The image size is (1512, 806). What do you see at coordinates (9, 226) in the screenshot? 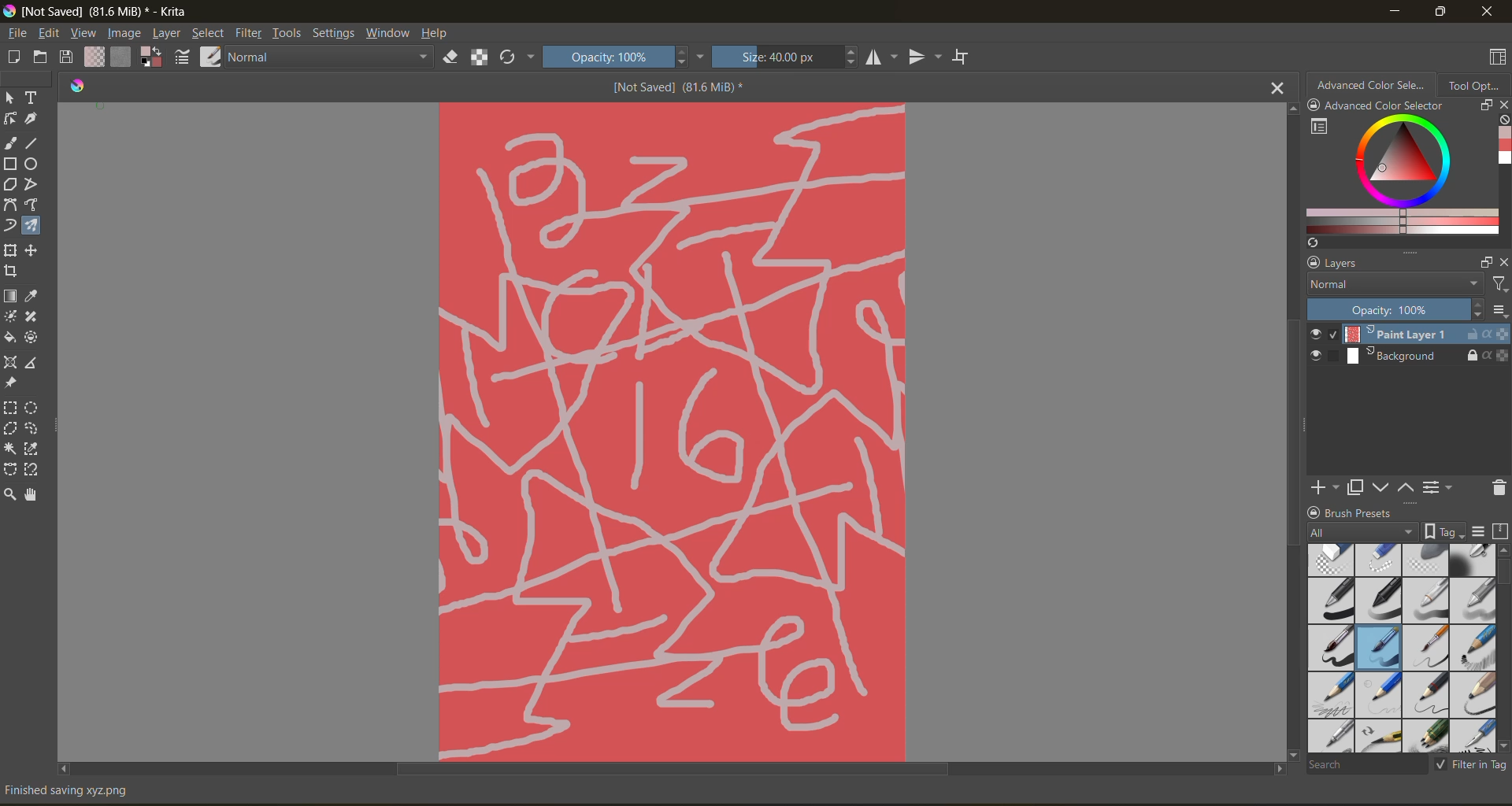
I see `tool` at bounding box center [9, 226].